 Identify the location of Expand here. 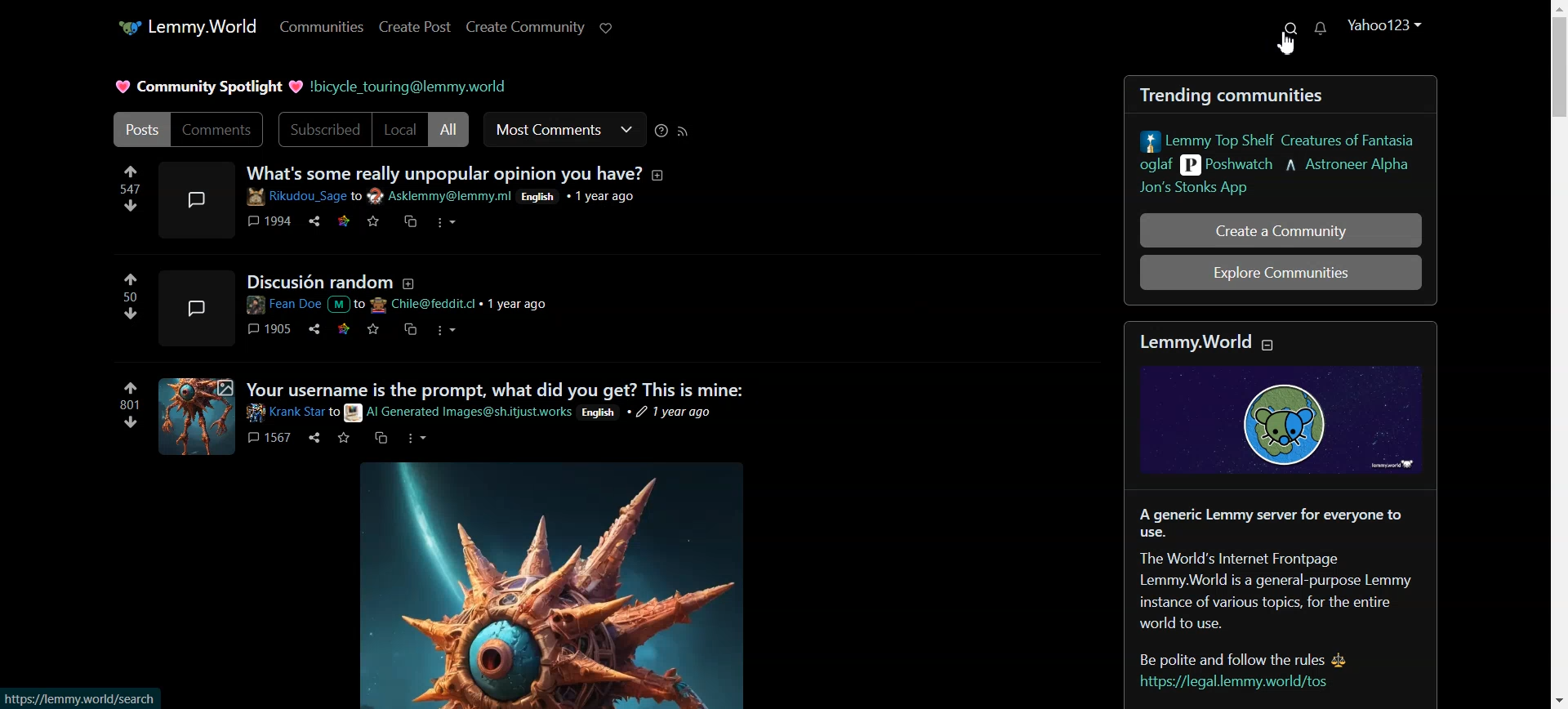
(194, 309).